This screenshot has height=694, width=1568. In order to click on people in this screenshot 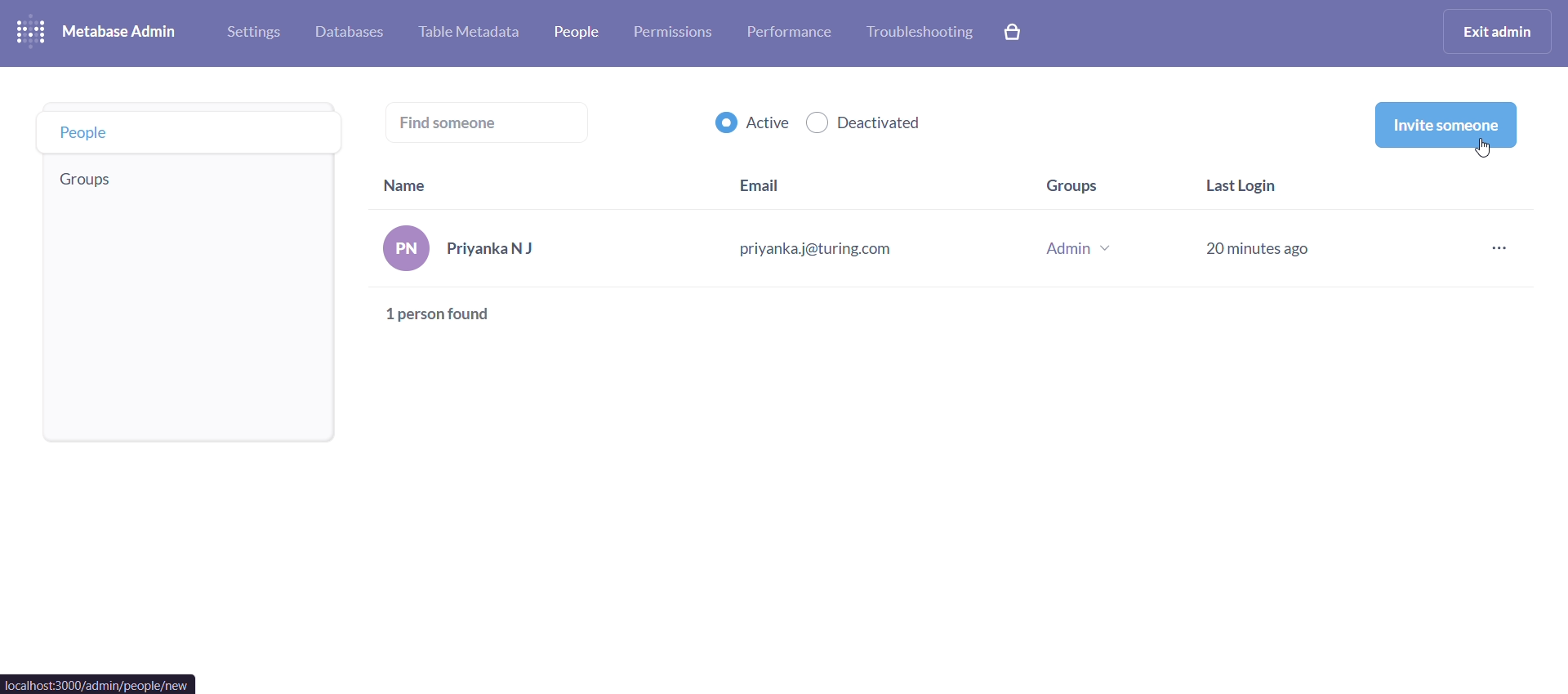, I will do `click(189, 133)`.